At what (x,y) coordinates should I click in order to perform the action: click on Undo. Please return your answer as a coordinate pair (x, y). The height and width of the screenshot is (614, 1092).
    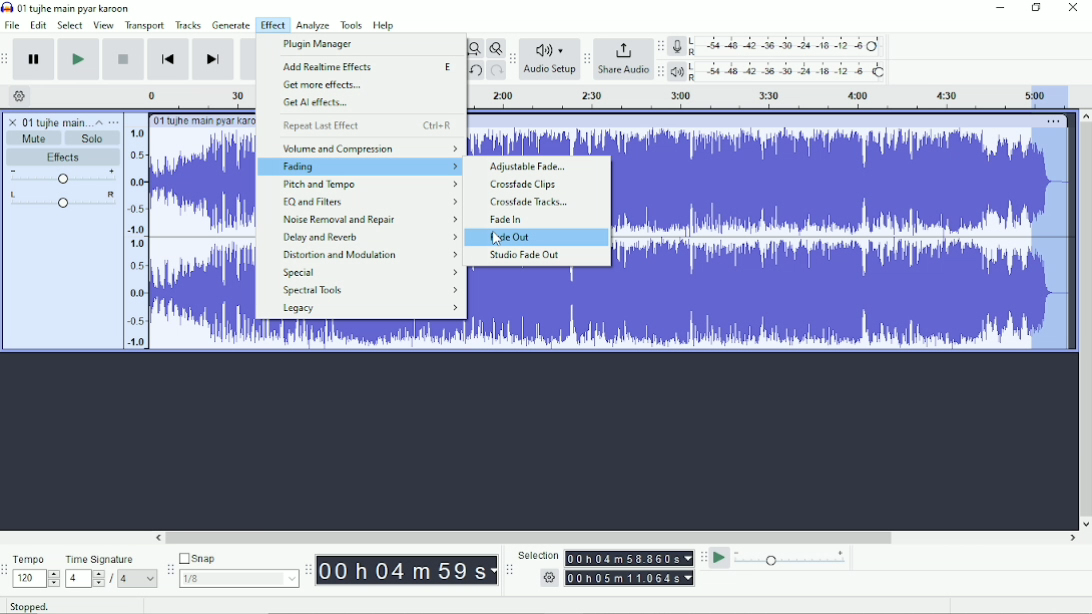
    Looking at the image, I should click on (475, 70).